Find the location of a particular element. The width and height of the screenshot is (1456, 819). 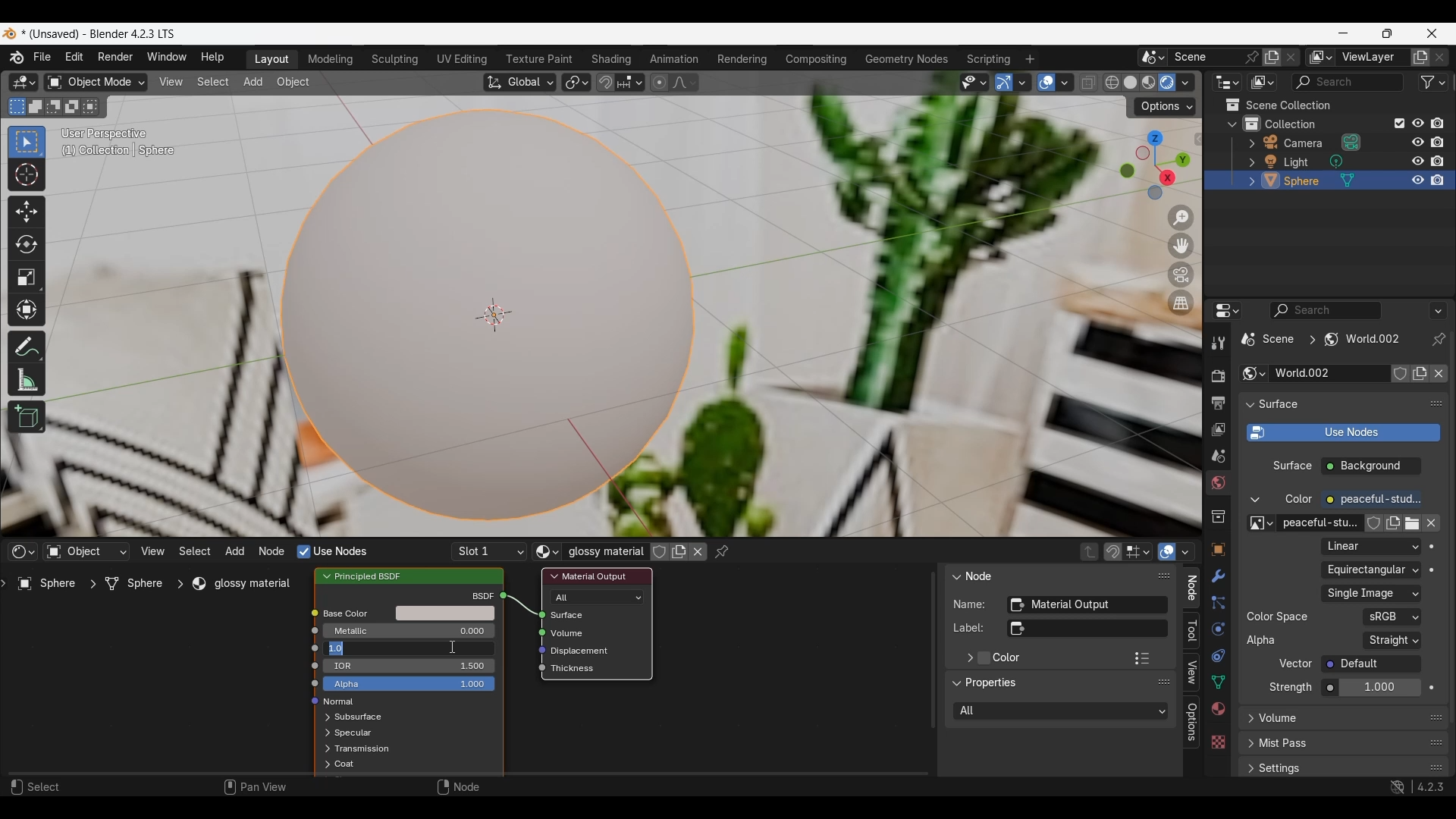

Transformation orientation: global is located at coordinates (519, 83).